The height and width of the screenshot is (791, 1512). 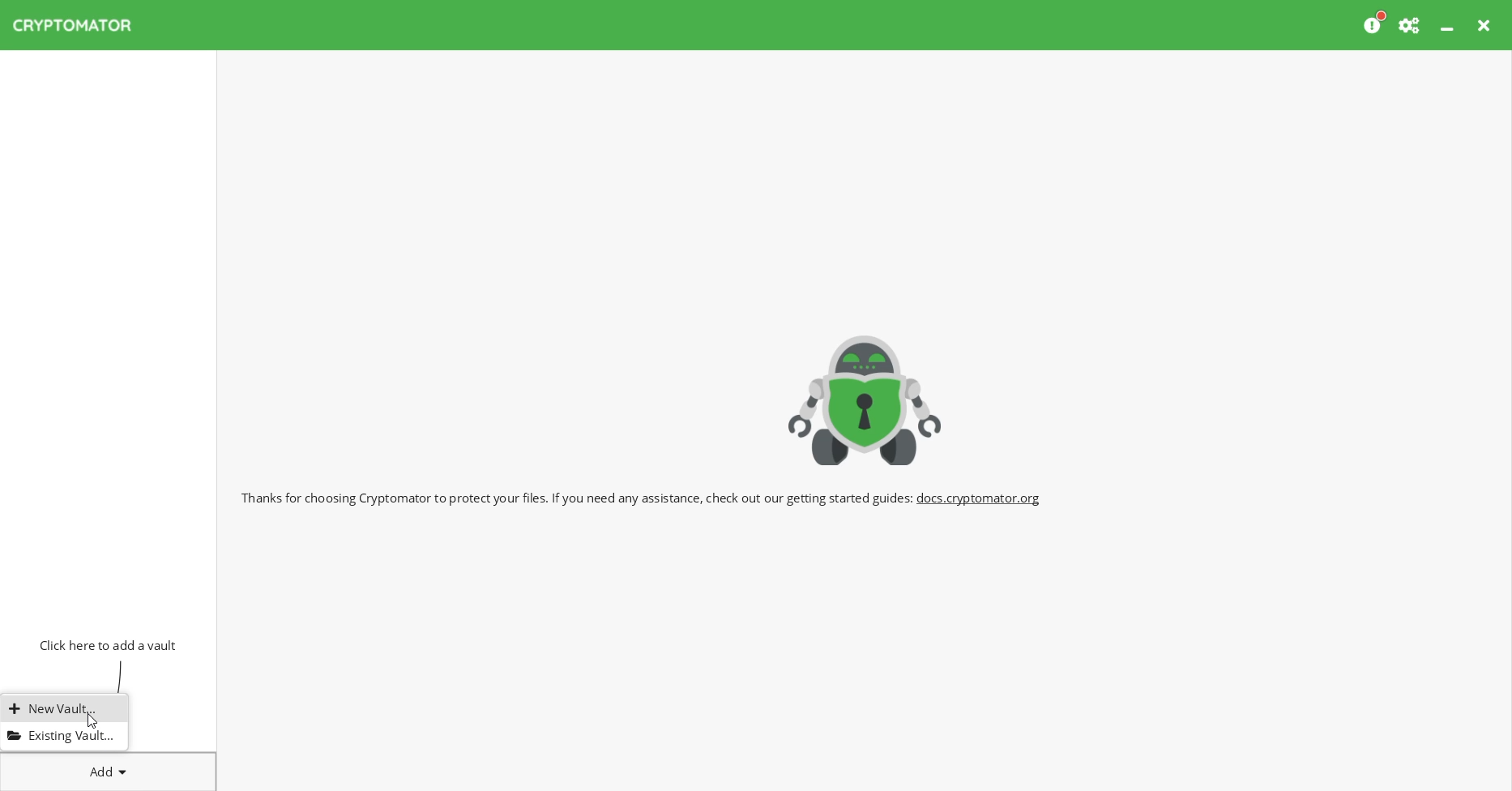 What do you see at coordinates (1486, 25) in the screenshot?
I see `Close` at bounding box center [1486, 25].